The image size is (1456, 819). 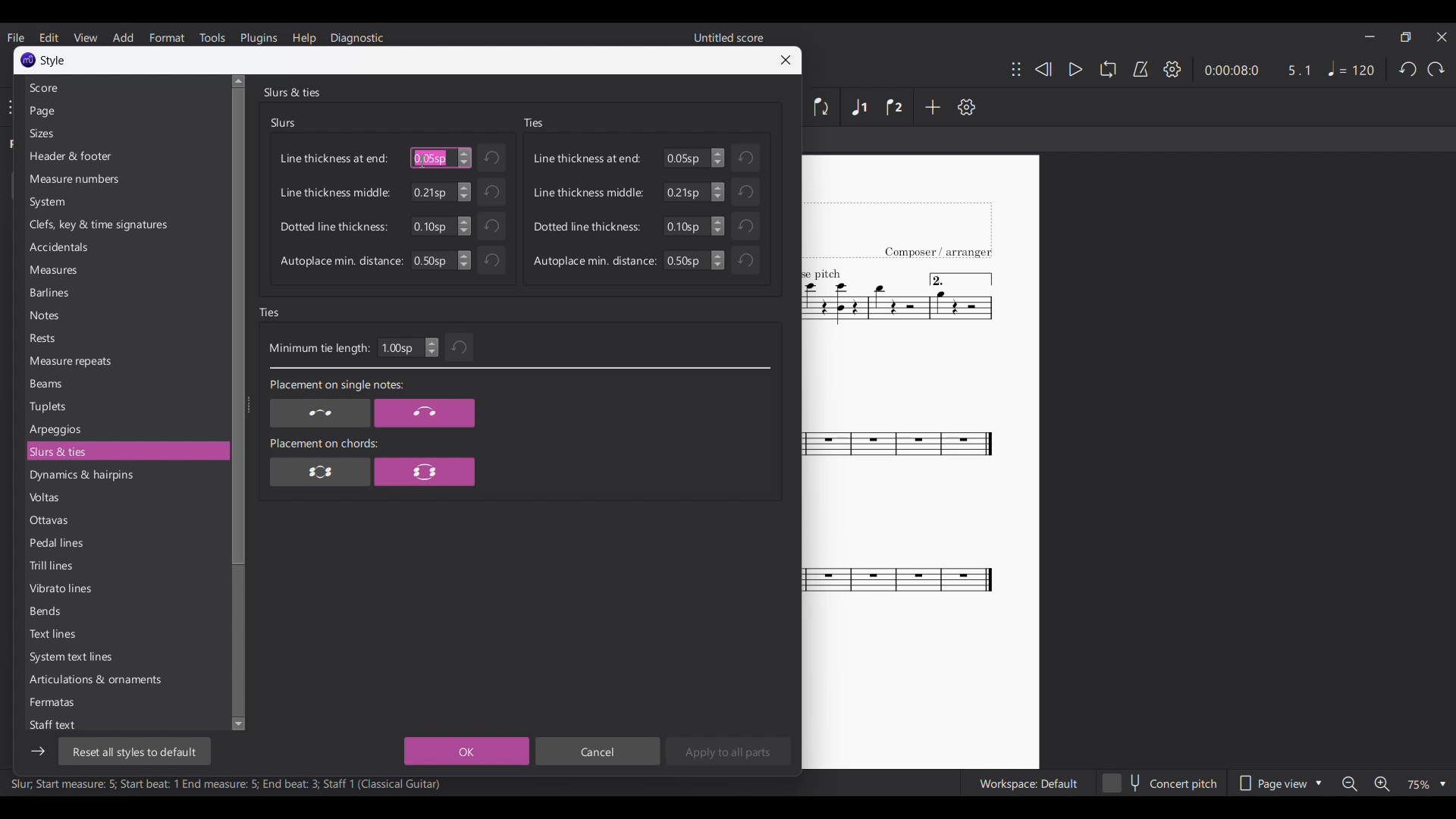 I want to click on Measure repeats, so click(x=125, y=361).